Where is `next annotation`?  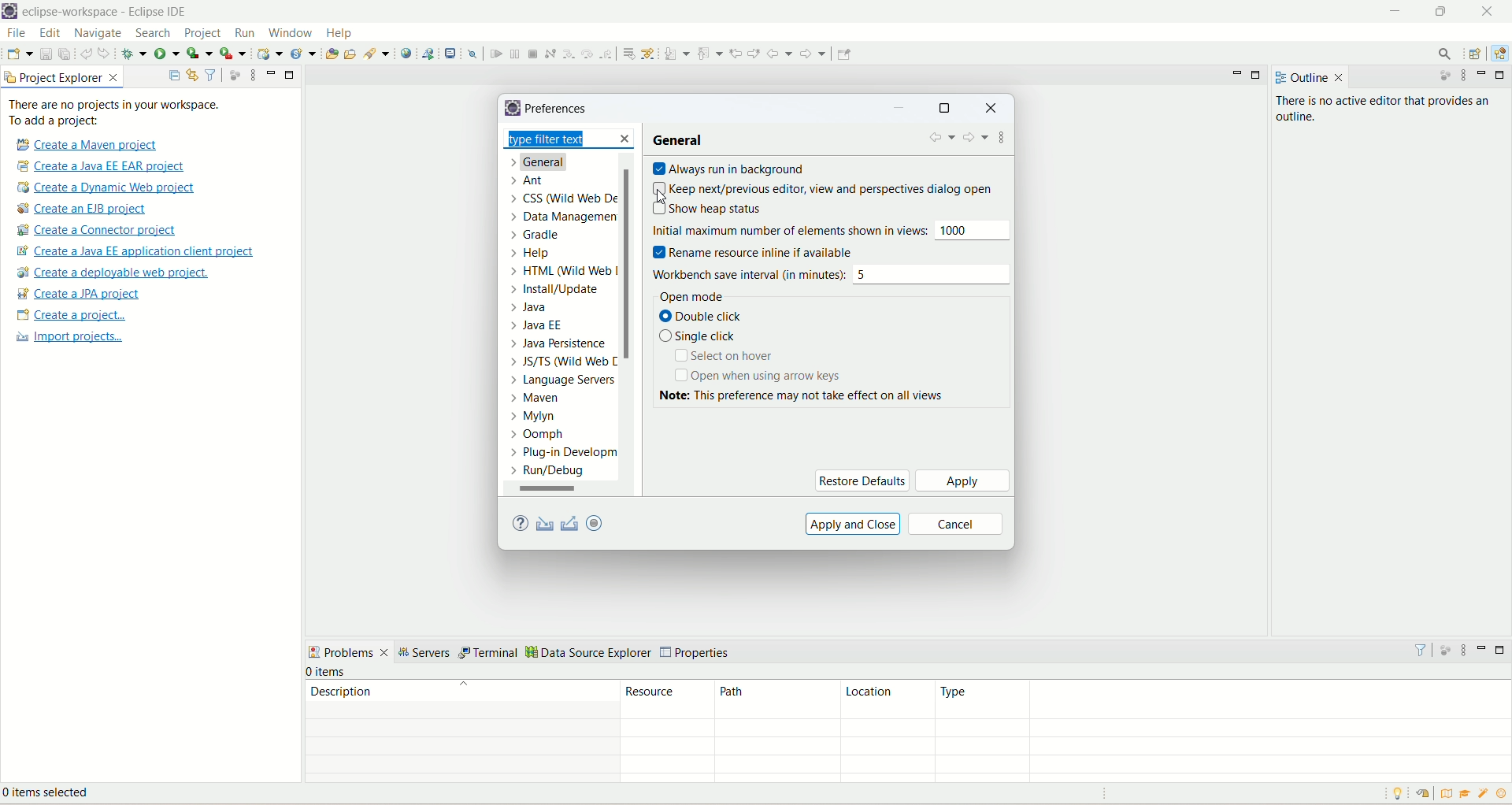
next annotation is located at coordinates (676, 54).